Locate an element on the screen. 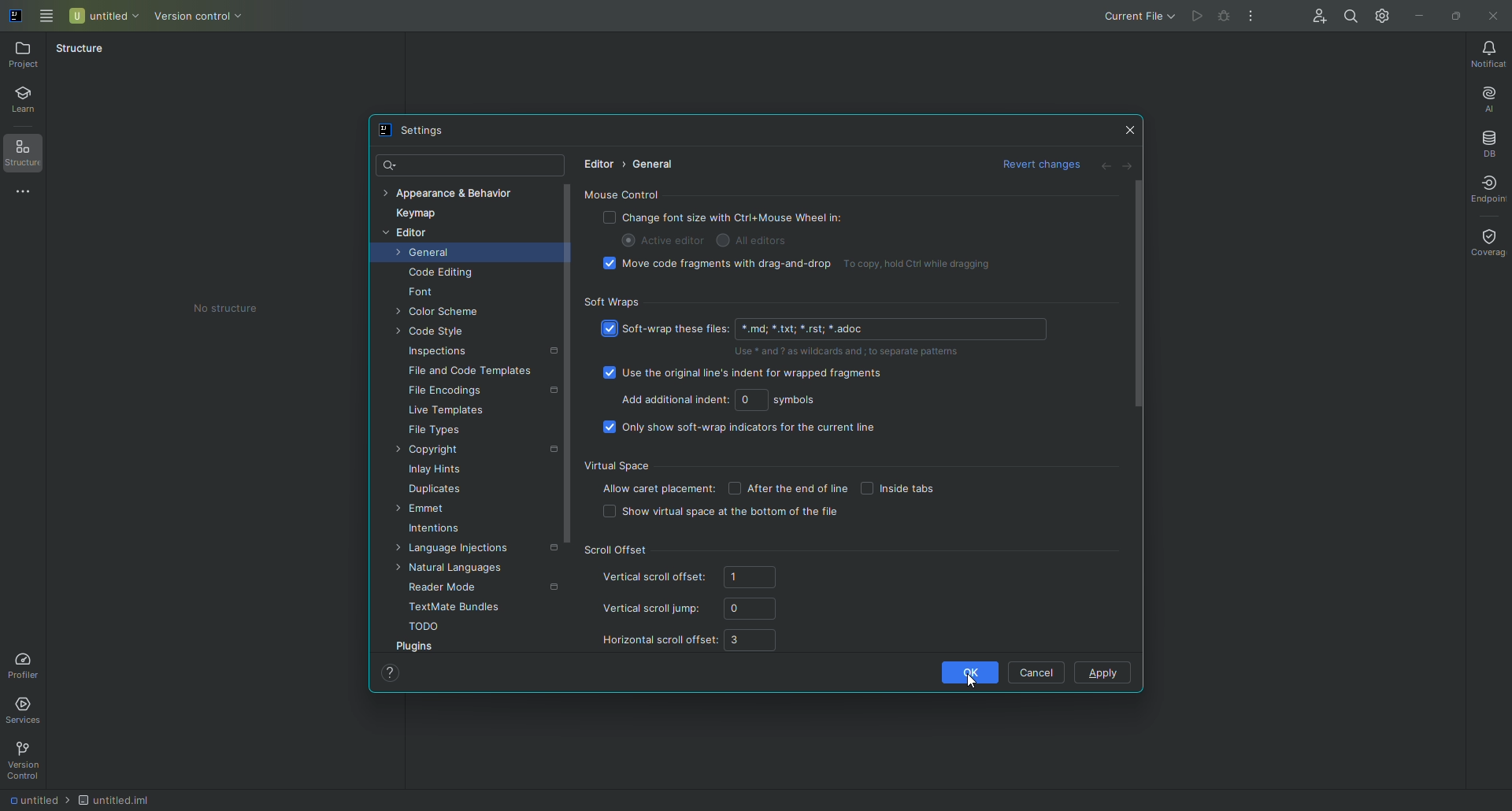 Image resolution: width=1512 pixels, height=811 pixels. Cancel is located at coordinates (1037, 672).